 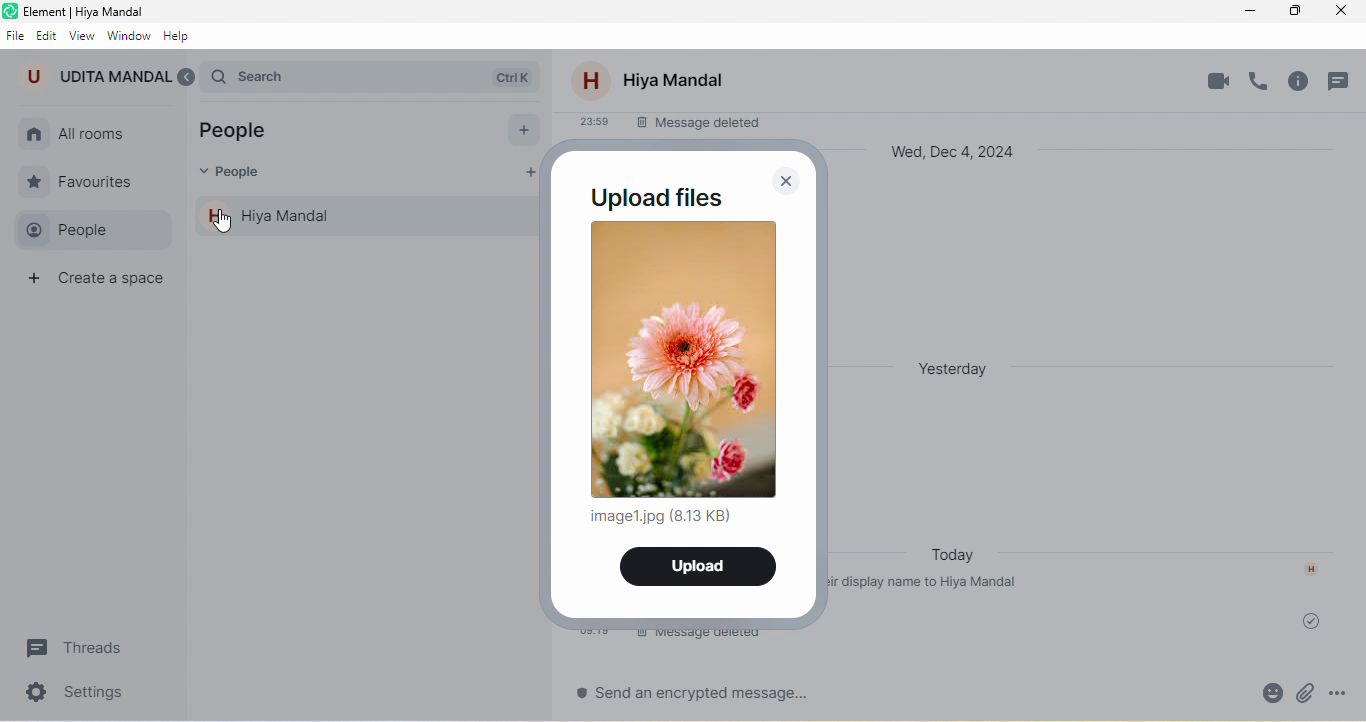 What do you see at coordinates (697, 125) in the screenshot?
I see `Message deleted` at bounding box center [697, 125].